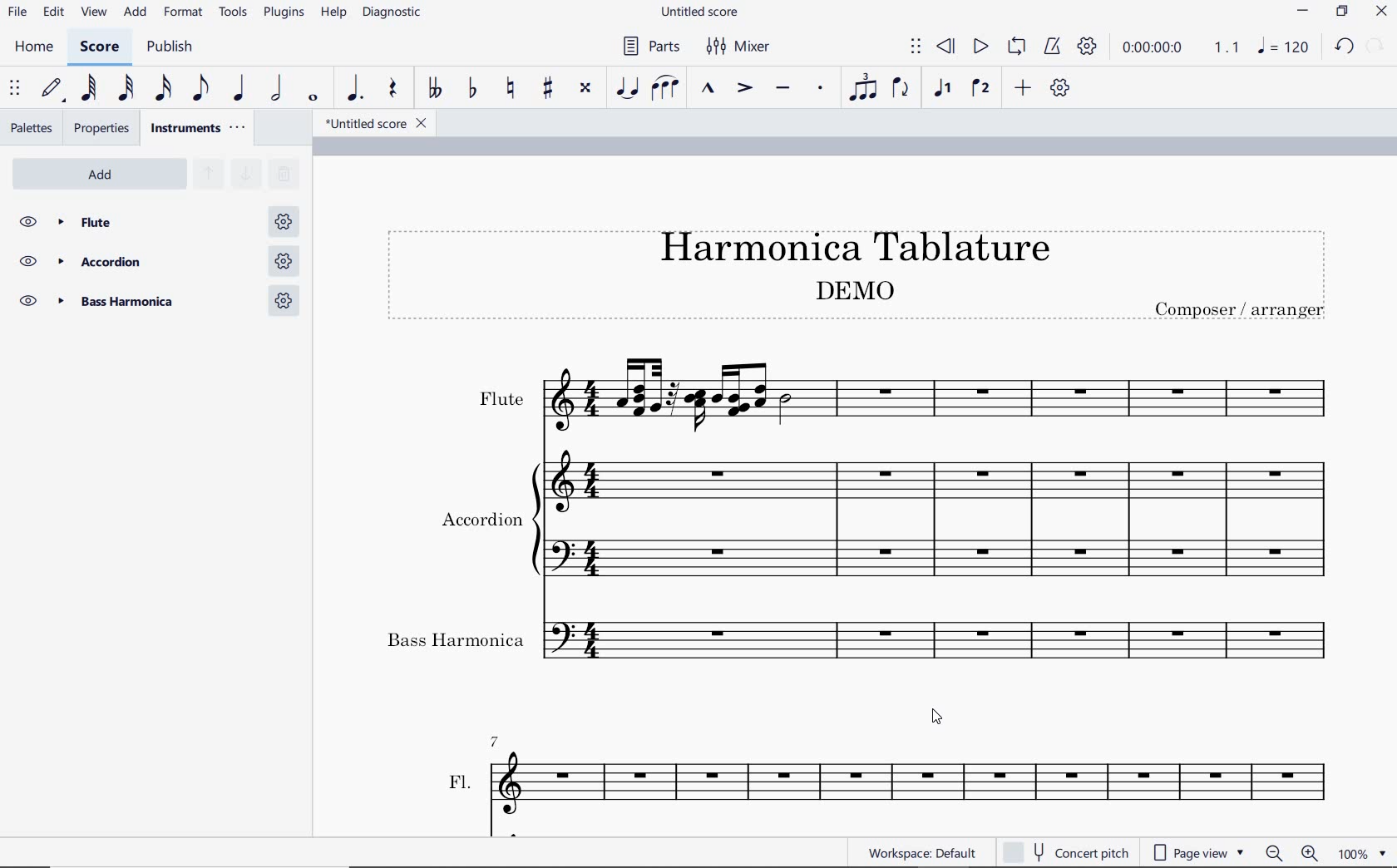  Describe the element at coordinates (1017, 47) in the screenshot. I see `loop playback` at that location.